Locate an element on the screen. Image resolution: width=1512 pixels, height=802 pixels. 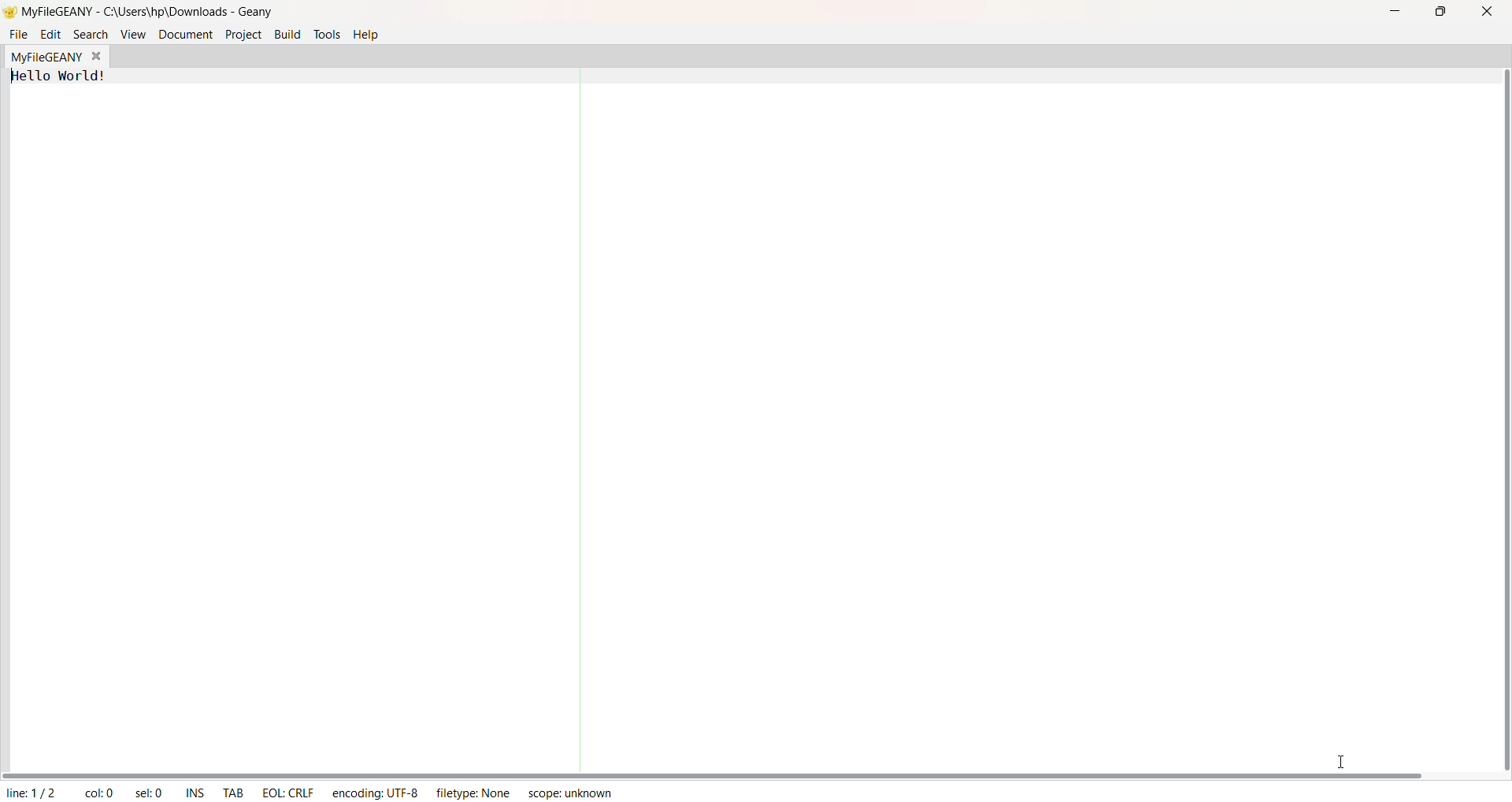
INS is located at coordinates (195, 793).